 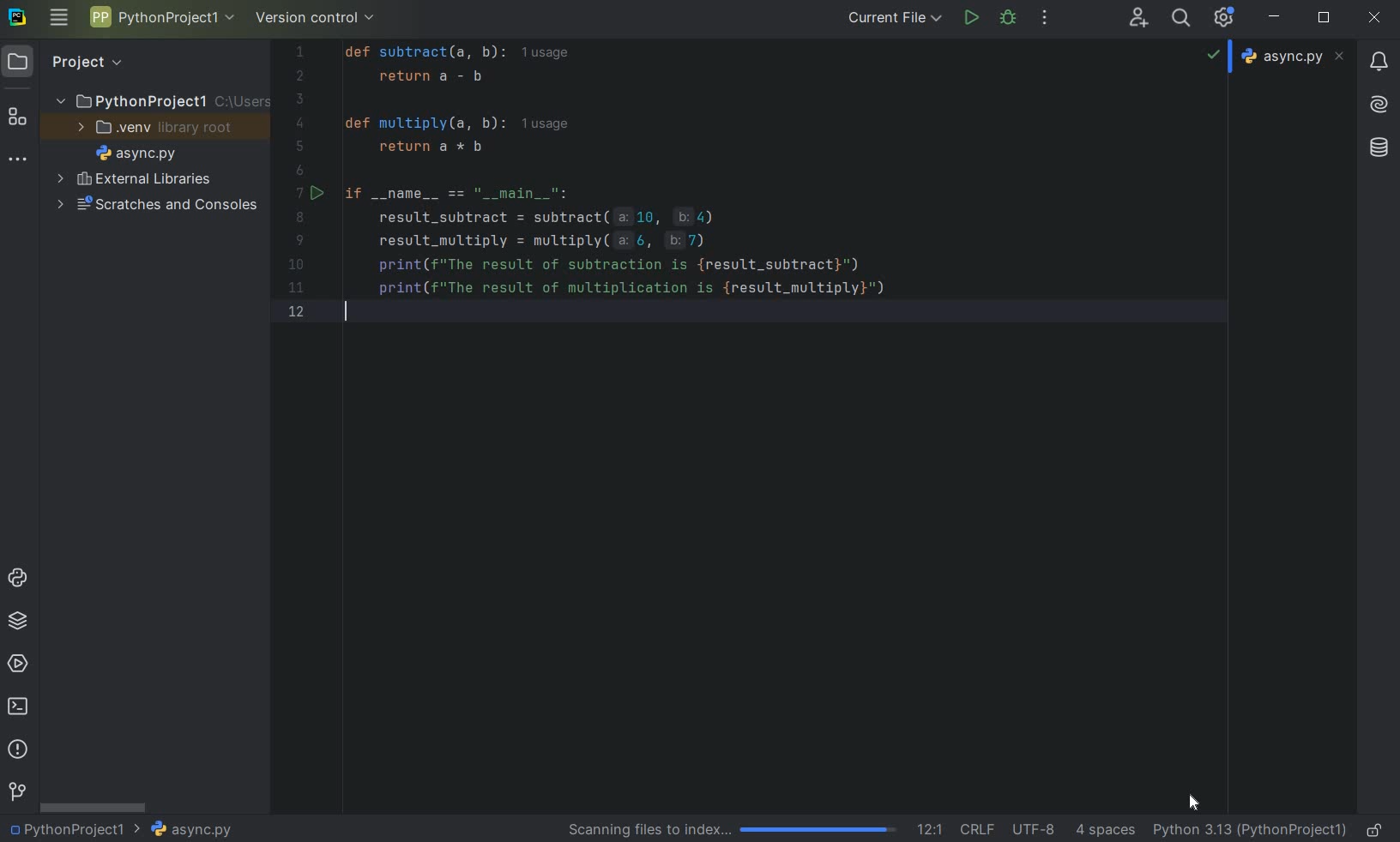 What do you see at coordinates (1250, 831) in the screenshot?
I see `current interpreter` at bounding box center [1250, 831].